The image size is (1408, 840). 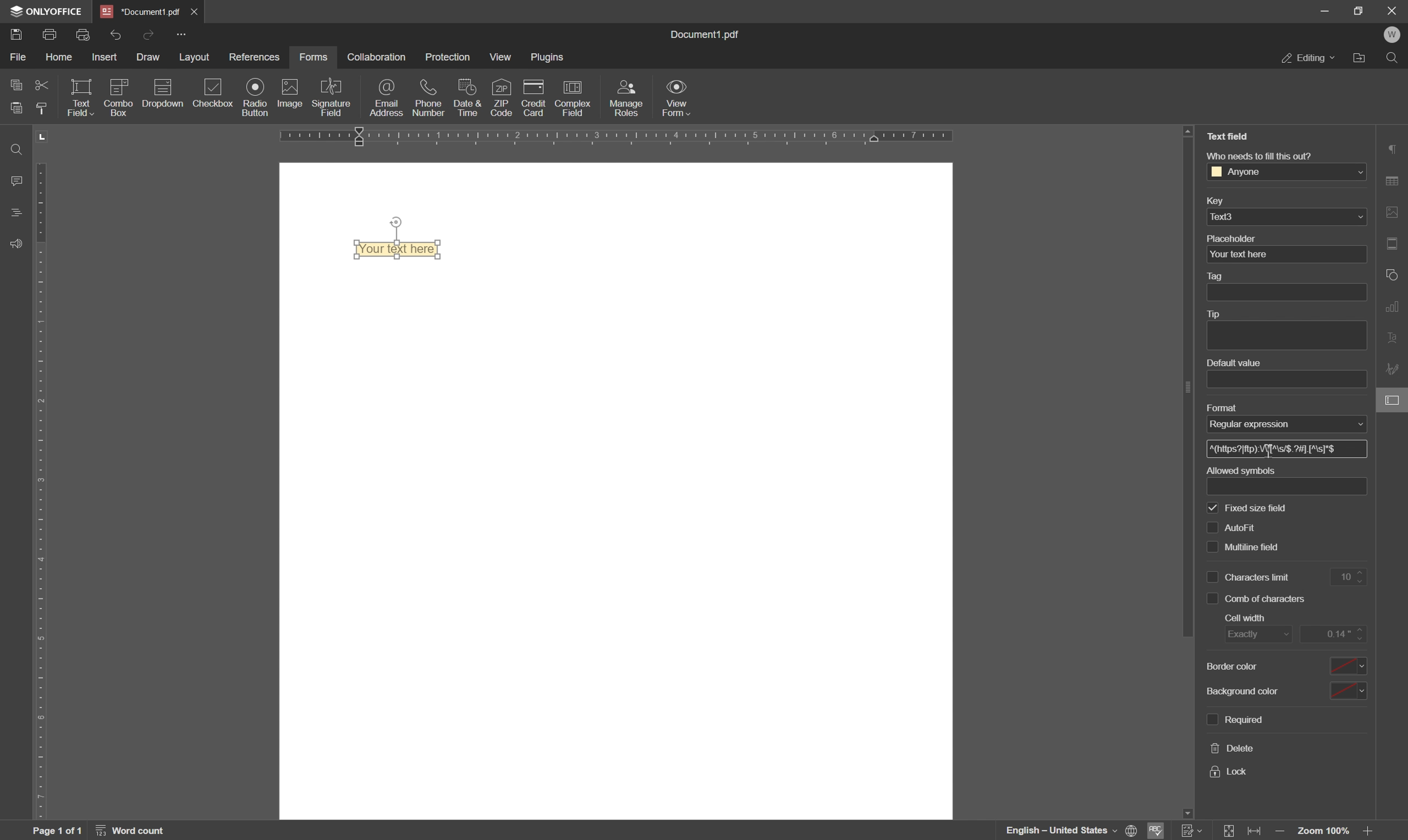 What do you see at coordinates (1257, 155) in the screenshot?
I see `who needs to fill this out?` at bounding box center [1257, 155].